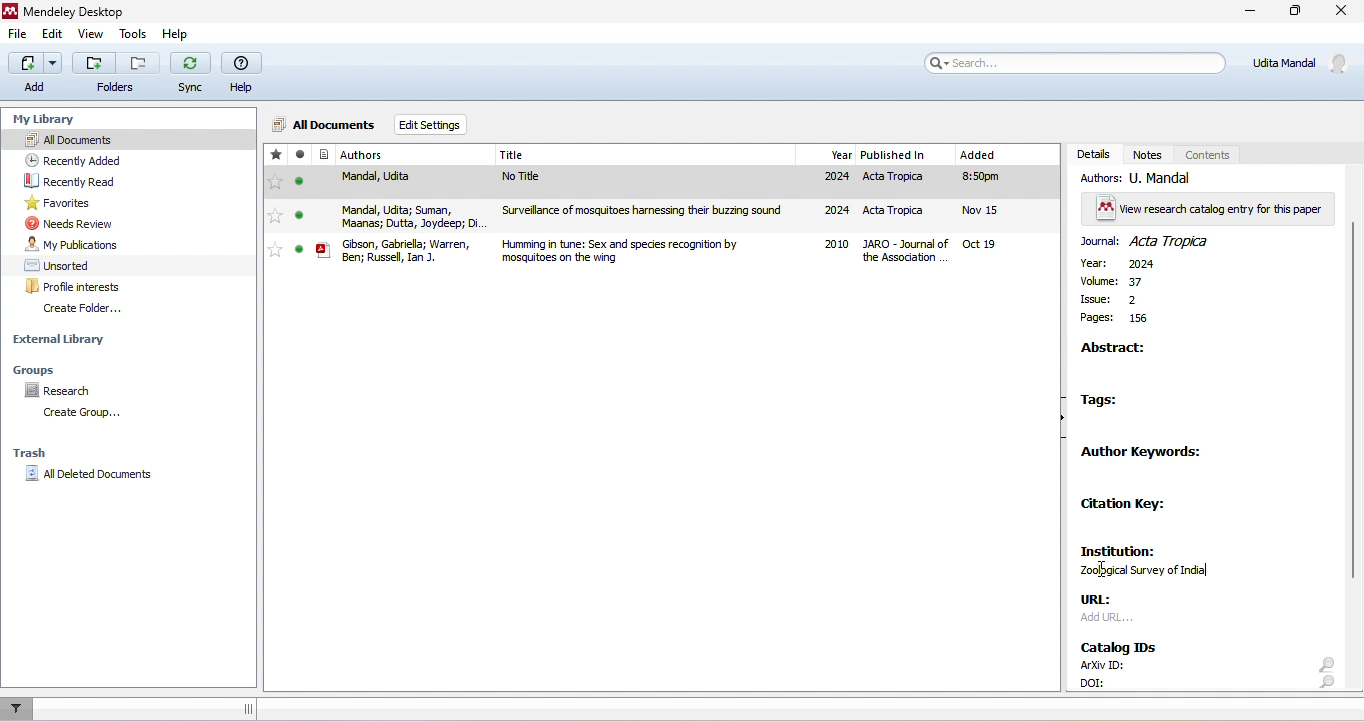 Image resolution: width=1364 pixels, height=722 pixels. Describe the element at coordinates (830, 155) in the screenshot. I see `year` at that location.